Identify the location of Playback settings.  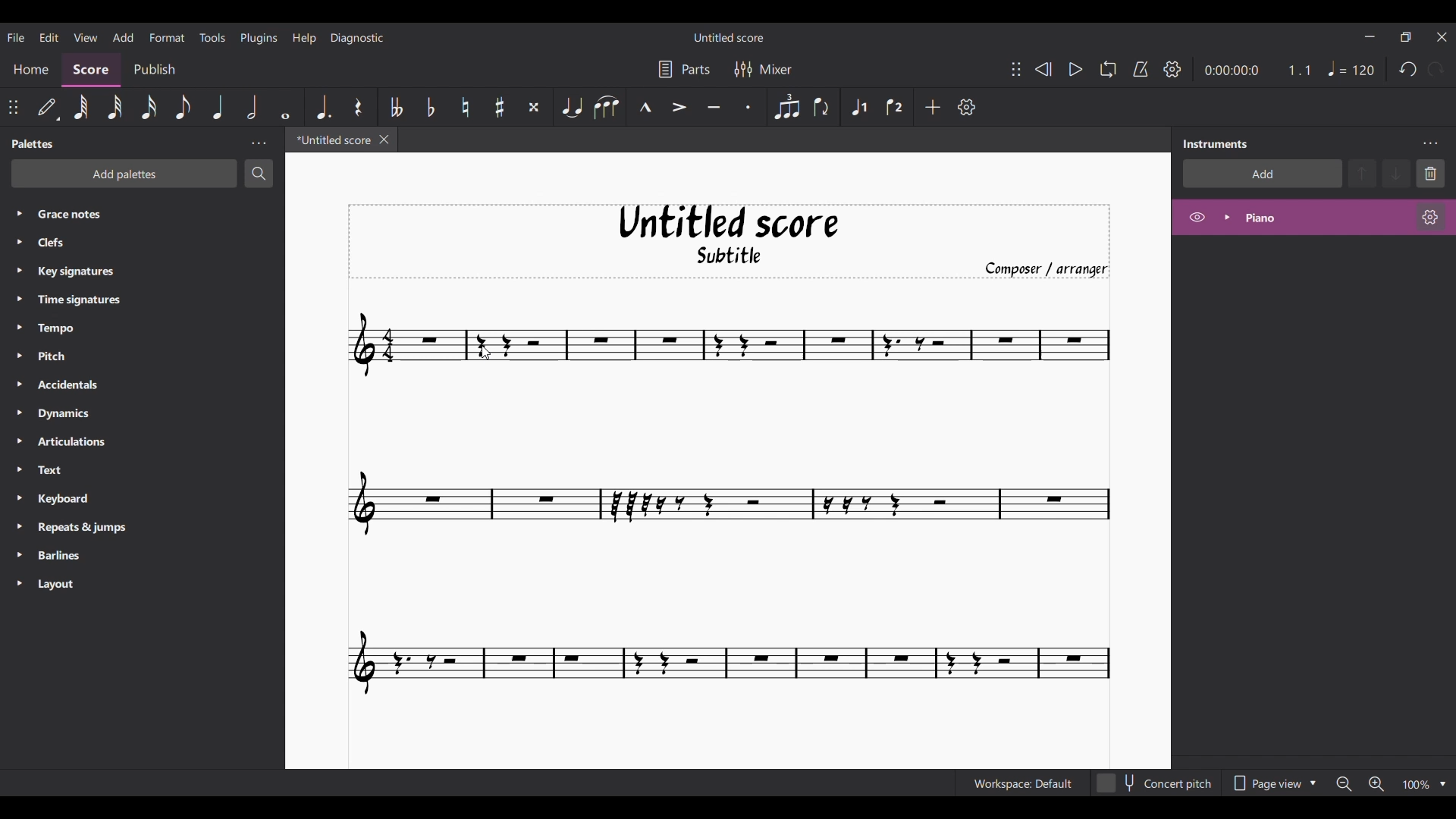
(1172, 68).